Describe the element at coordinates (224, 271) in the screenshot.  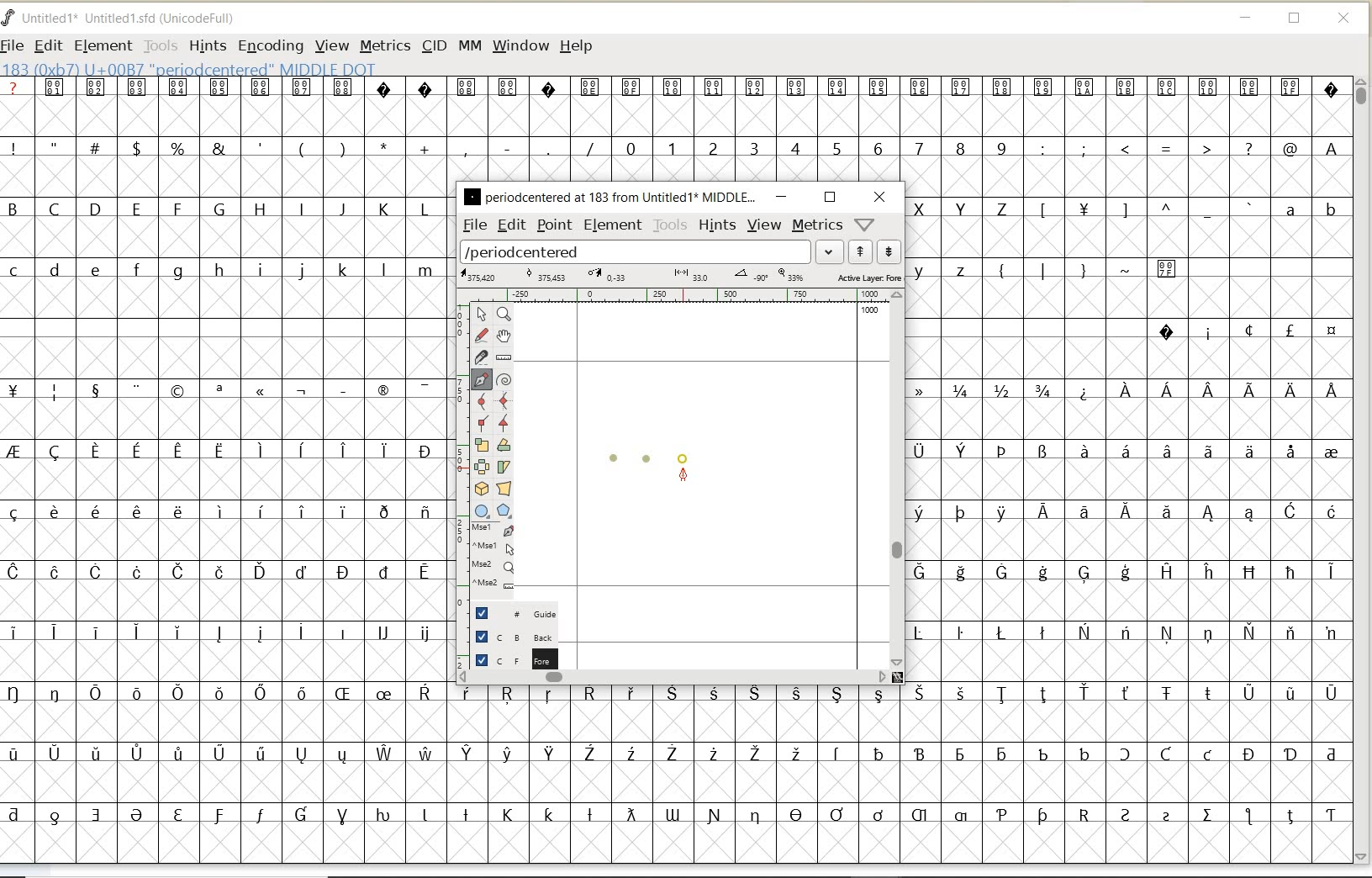
I see `lowercase letters` at that location.